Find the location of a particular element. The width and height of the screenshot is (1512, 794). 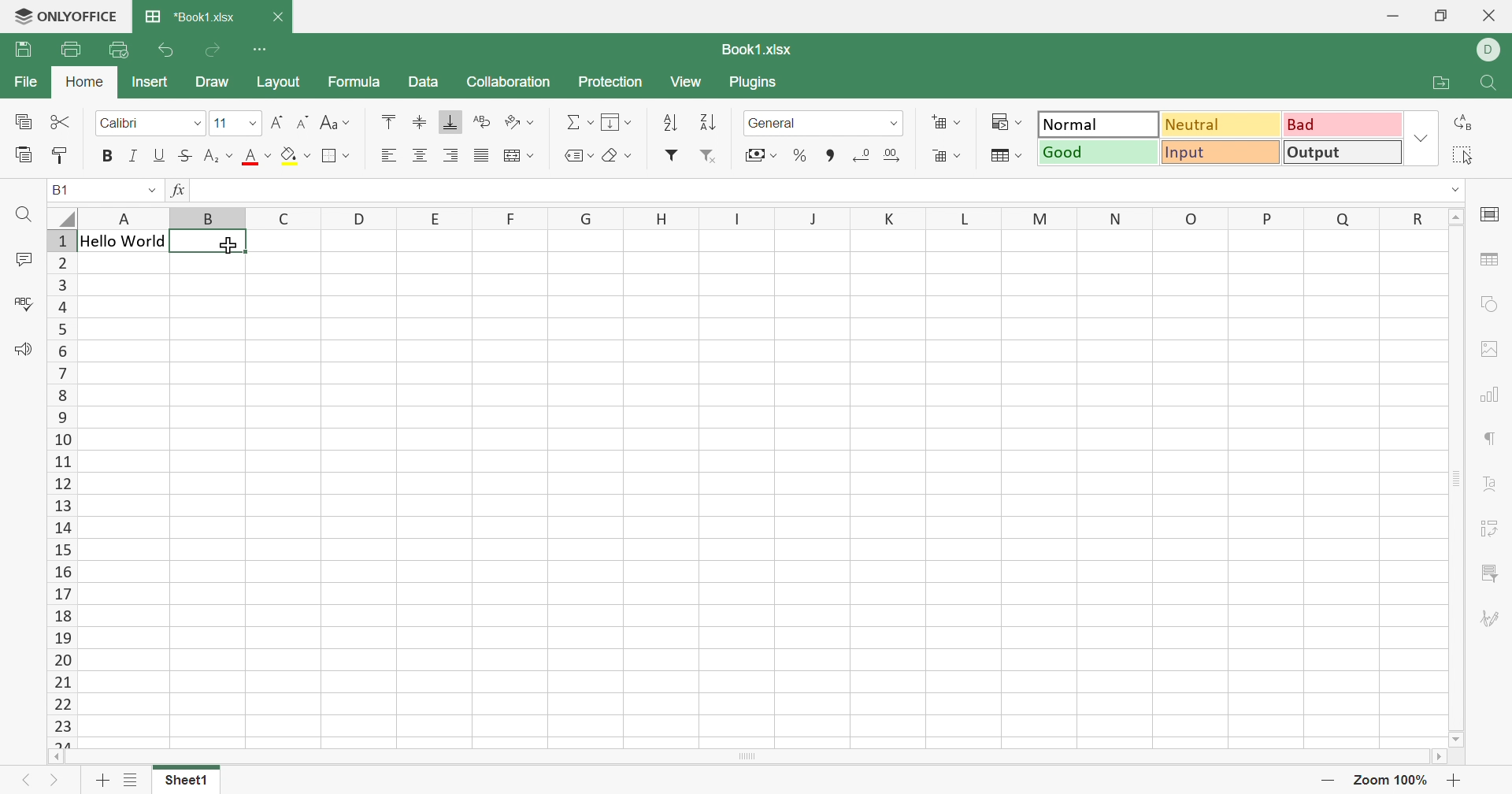

Spell checking is located at coordinates (26, 302).